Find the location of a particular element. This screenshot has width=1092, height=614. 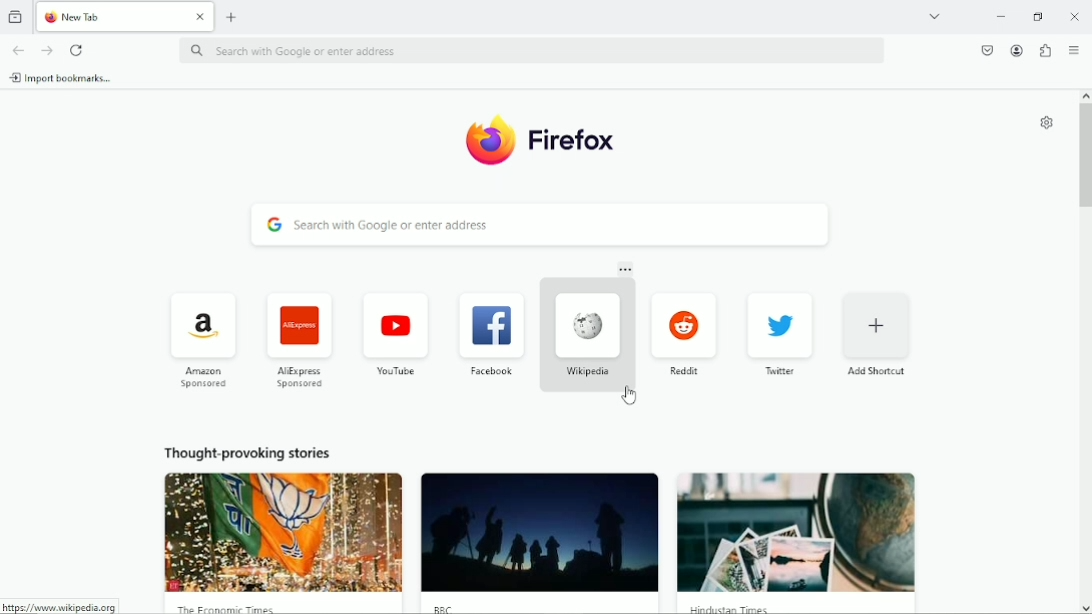

Amazon Sponsored is located at coordinates (206, 339).